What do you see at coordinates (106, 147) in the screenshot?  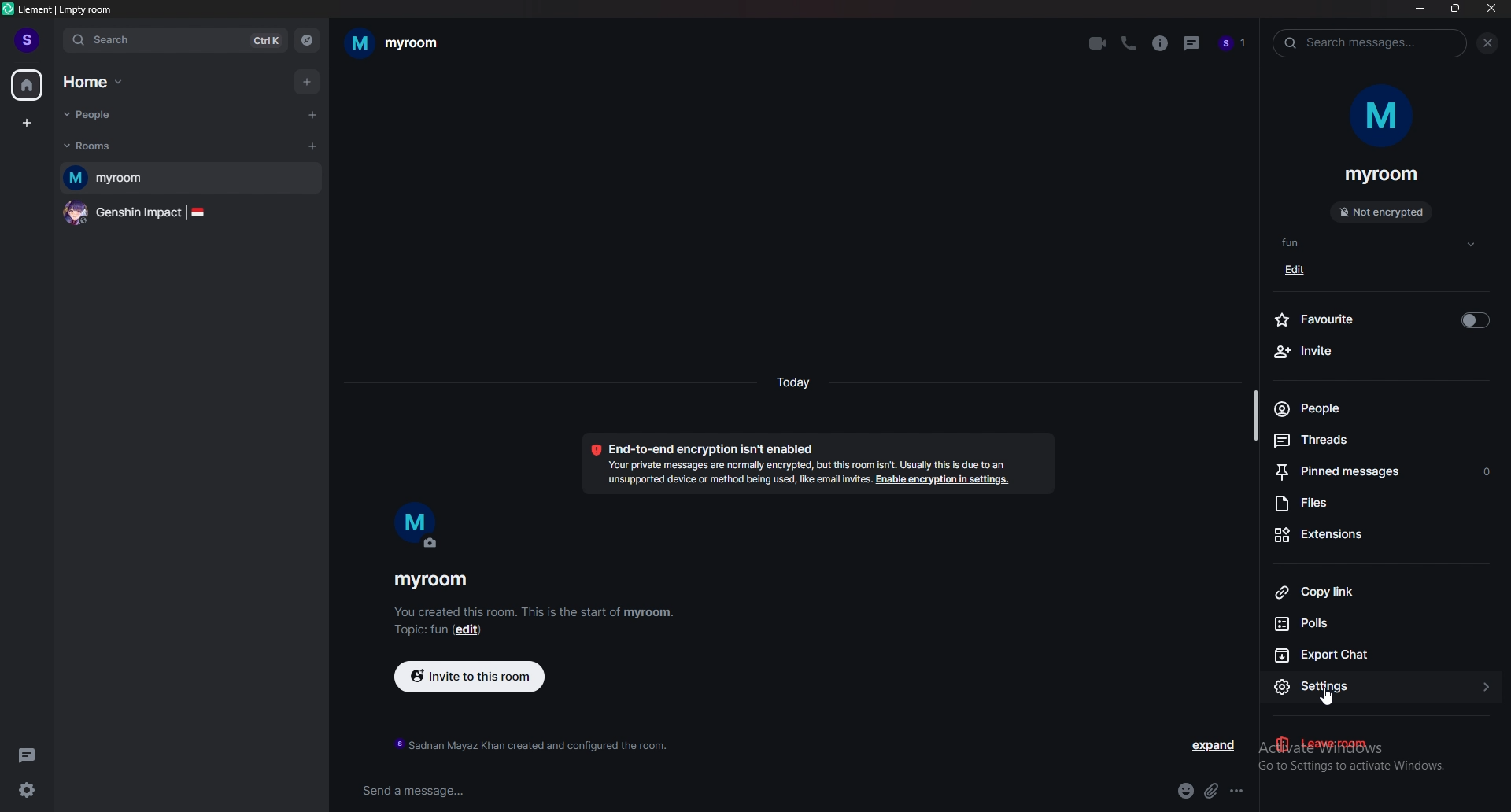 I see `rooms` at bounding box center [106, 147].